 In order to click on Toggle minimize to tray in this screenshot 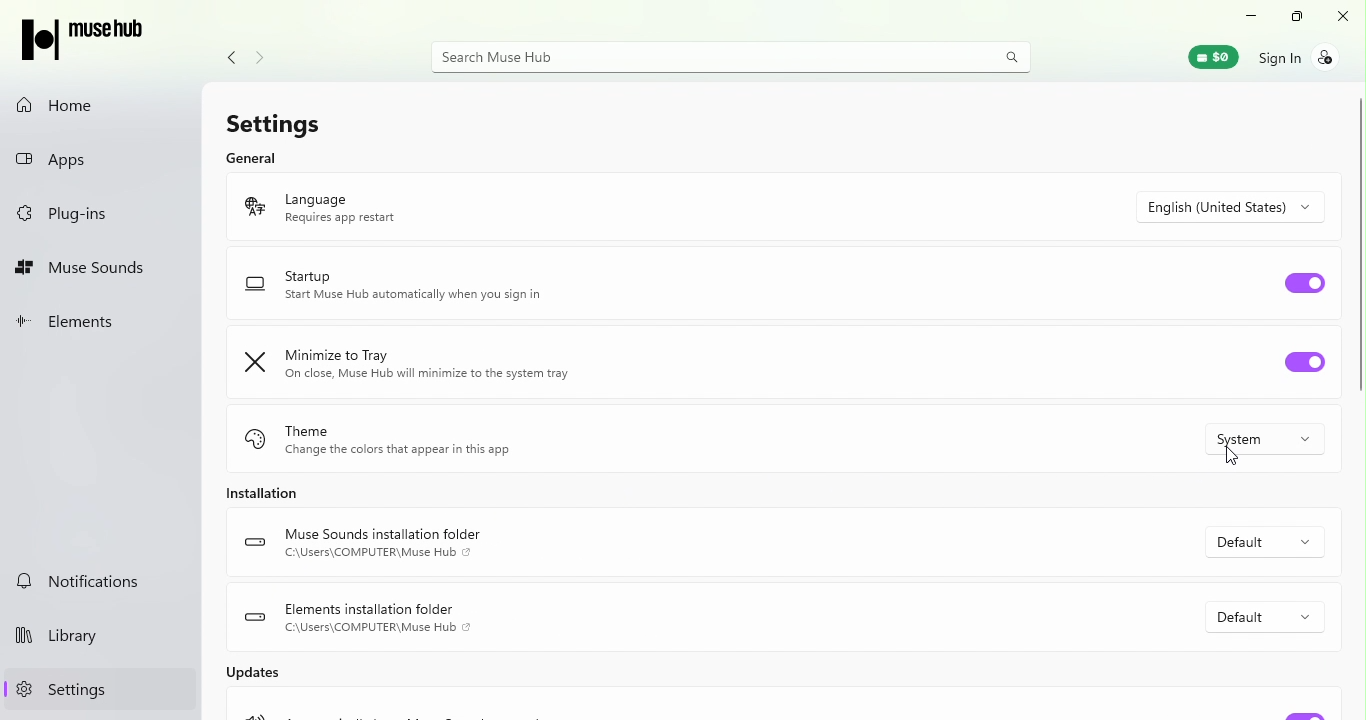, I will do `click(1304, 363)`.